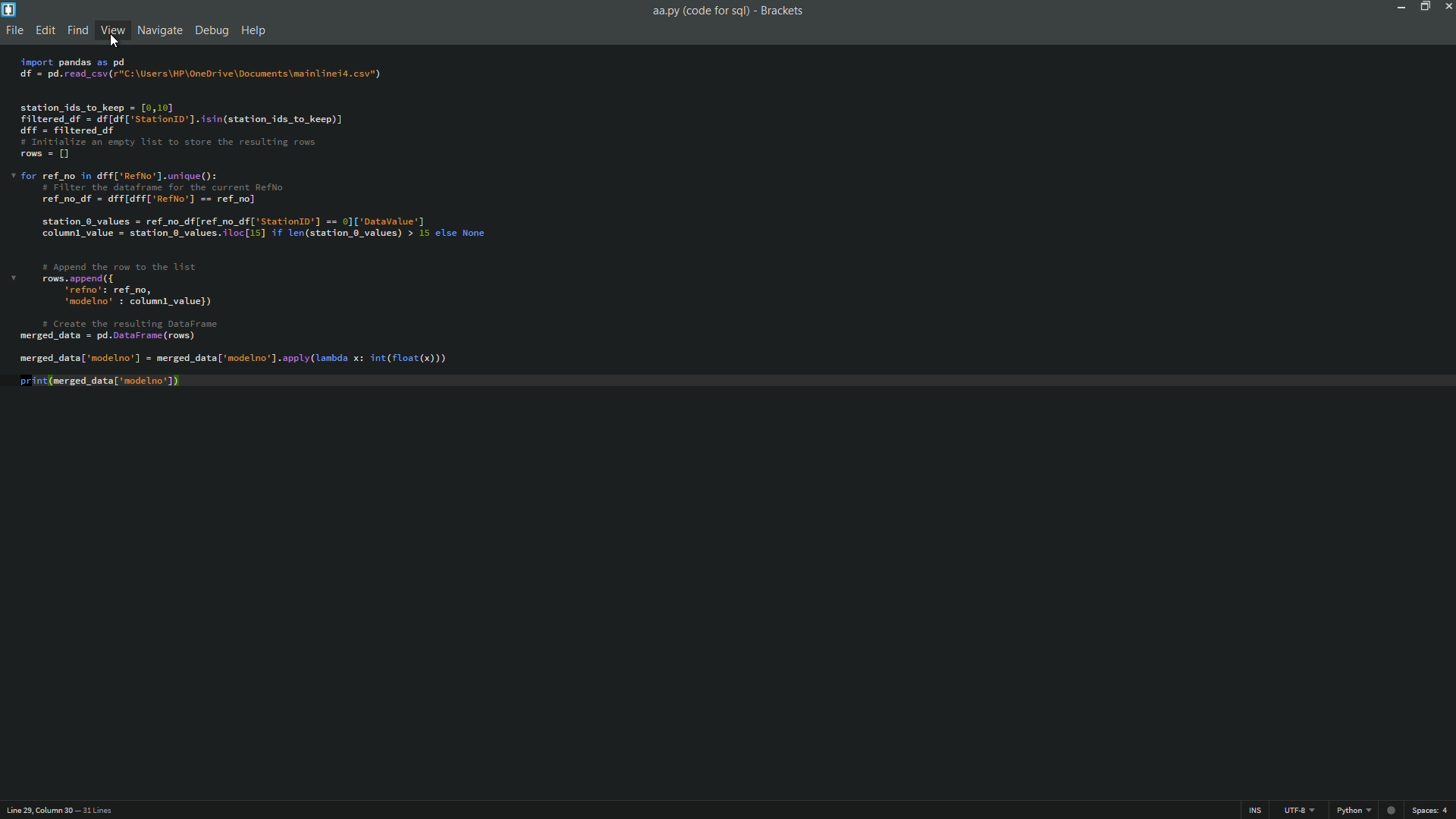 This screenshot has width=1456, height=819. What do you see at coordinates (10, 10) in the screenshot?
I see `app icon` at bounding box center [10, 10].